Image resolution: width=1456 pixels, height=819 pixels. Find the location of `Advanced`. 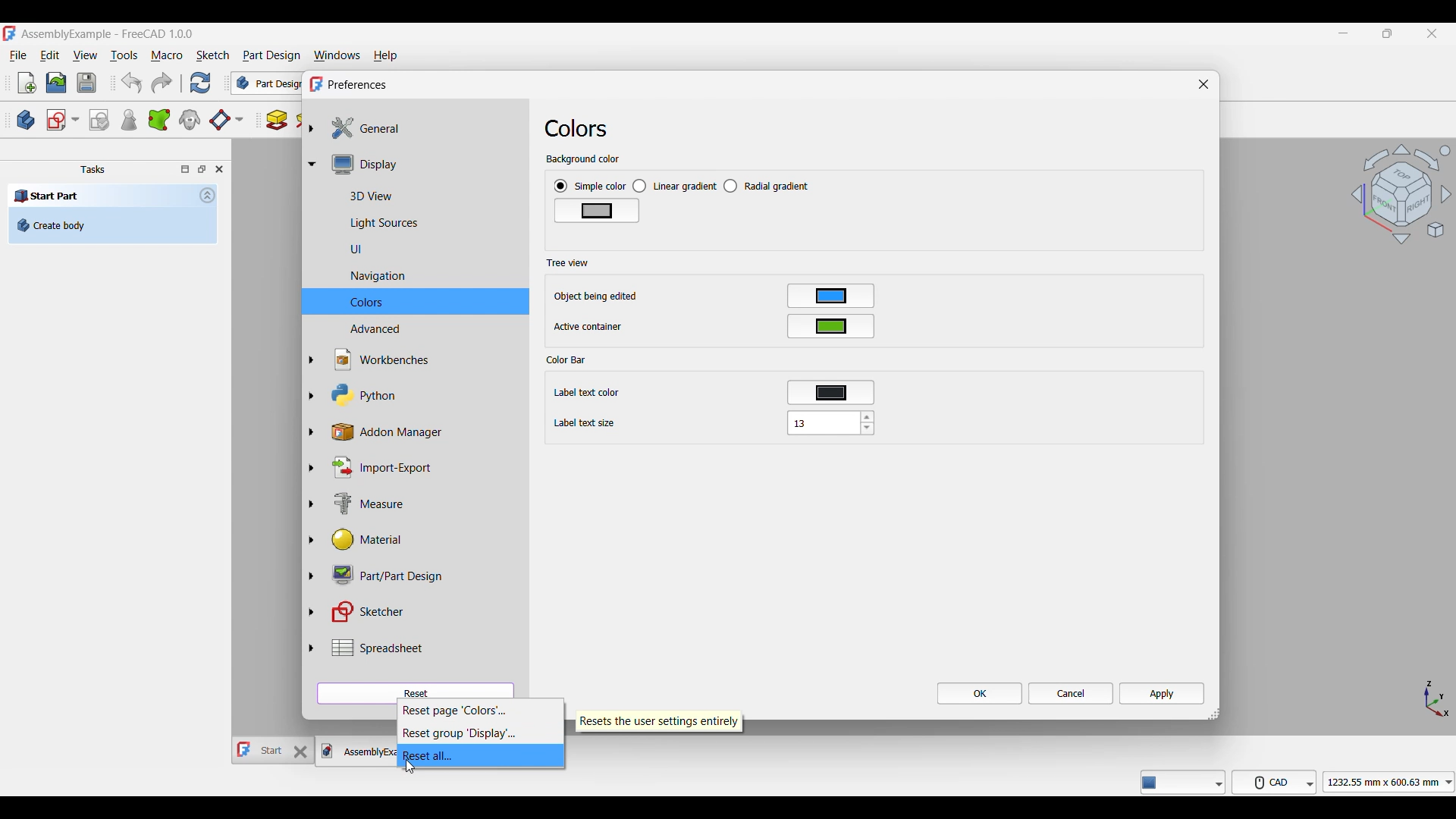

Advanced is located at coordinates (356, 329).